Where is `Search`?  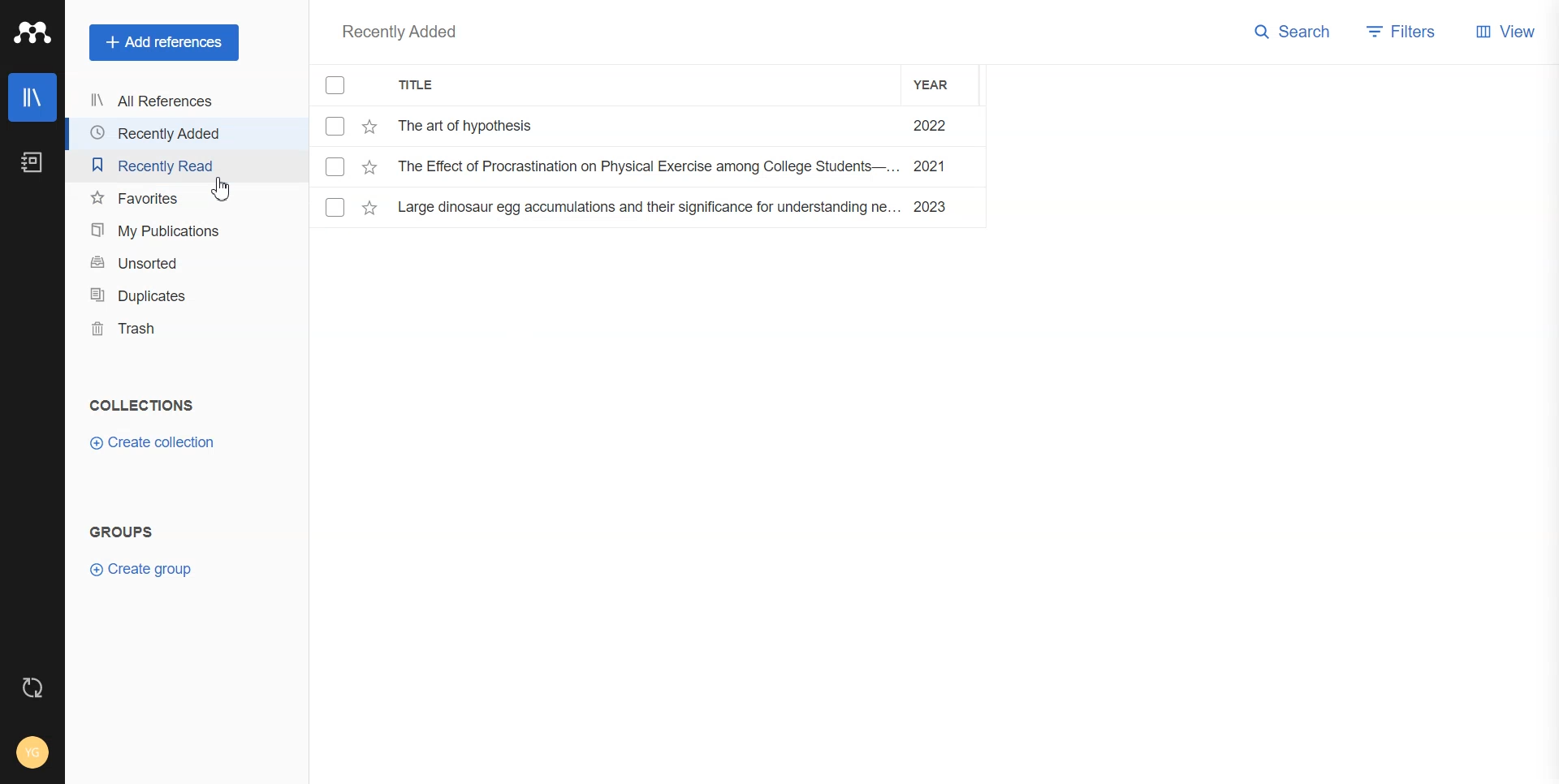
Search is located at coordinates (1293, 33).